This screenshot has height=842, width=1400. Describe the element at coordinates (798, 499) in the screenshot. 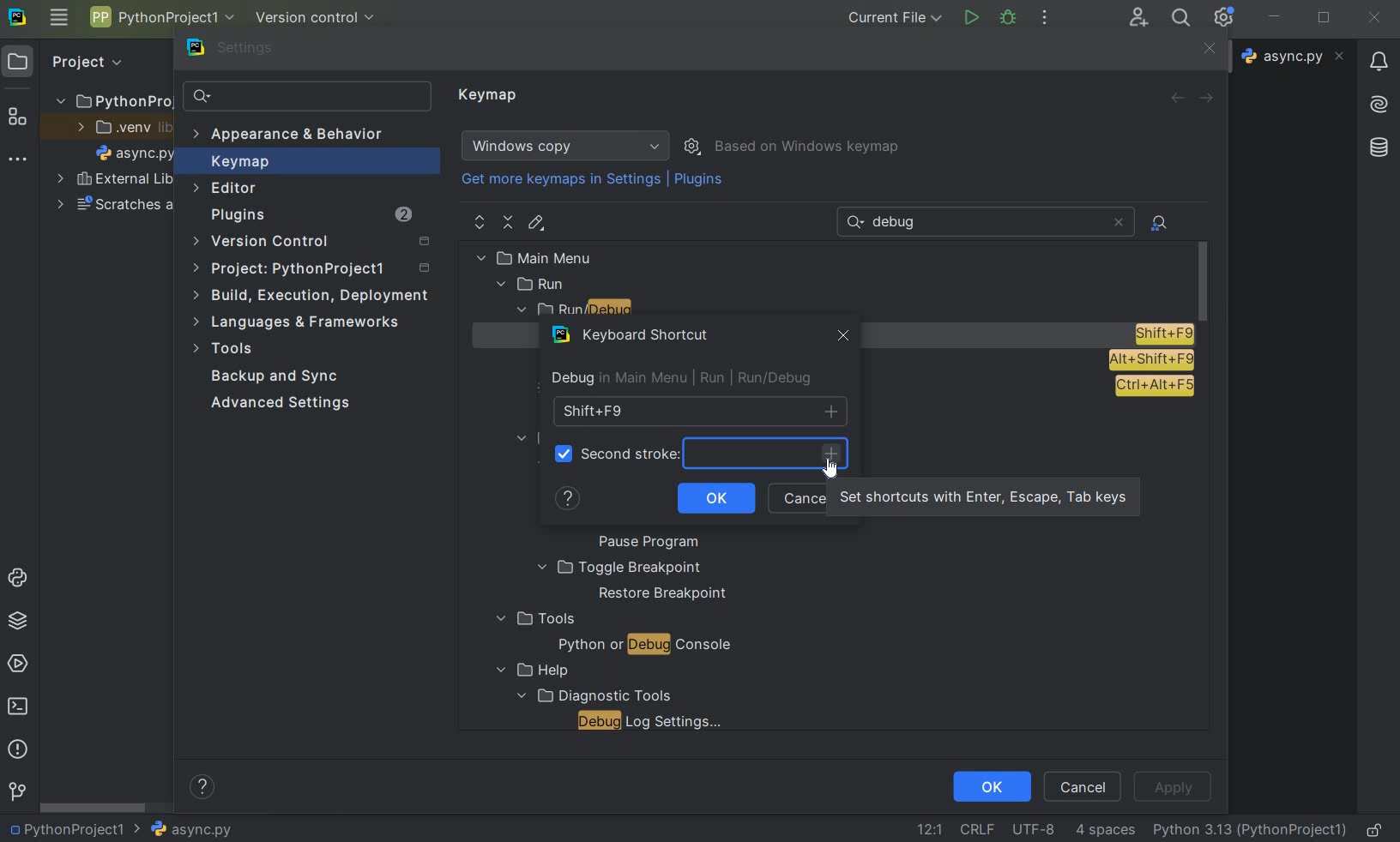

I see `cancel` at that location.